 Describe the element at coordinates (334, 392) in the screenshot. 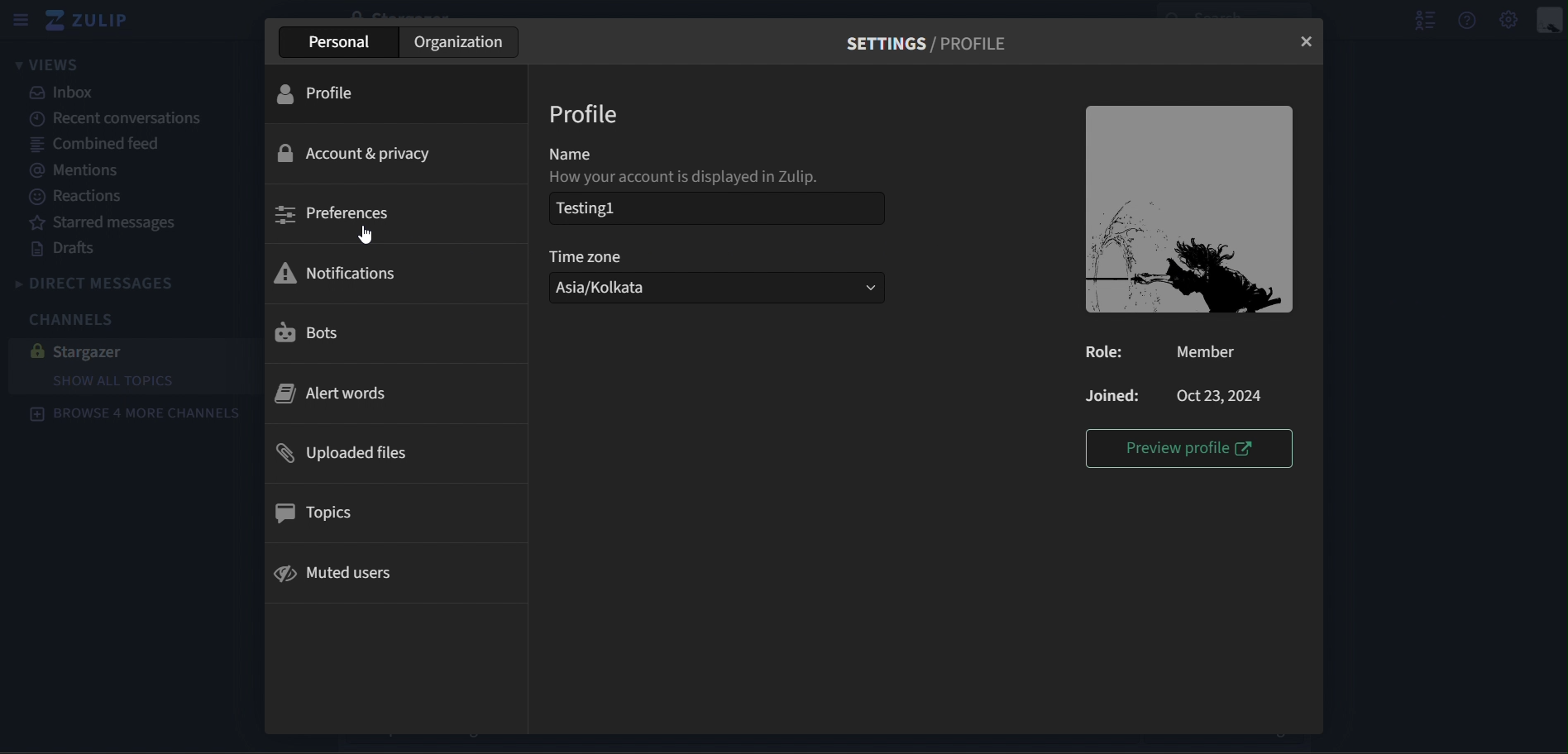

I see `alert words` at that location.